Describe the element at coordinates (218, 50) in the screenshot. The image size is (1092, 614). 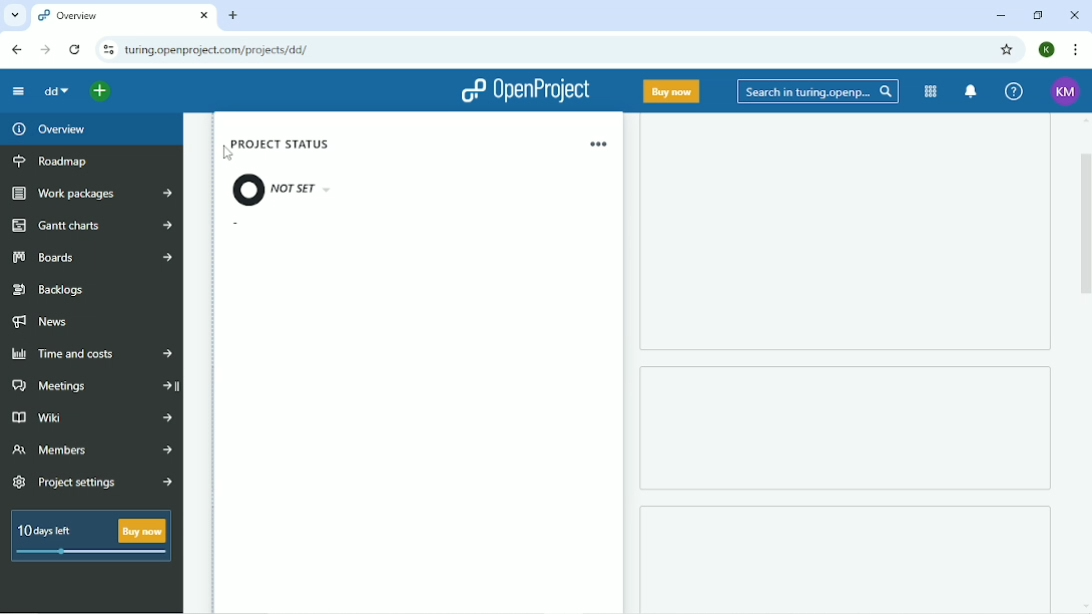
I see `Site` at that location.